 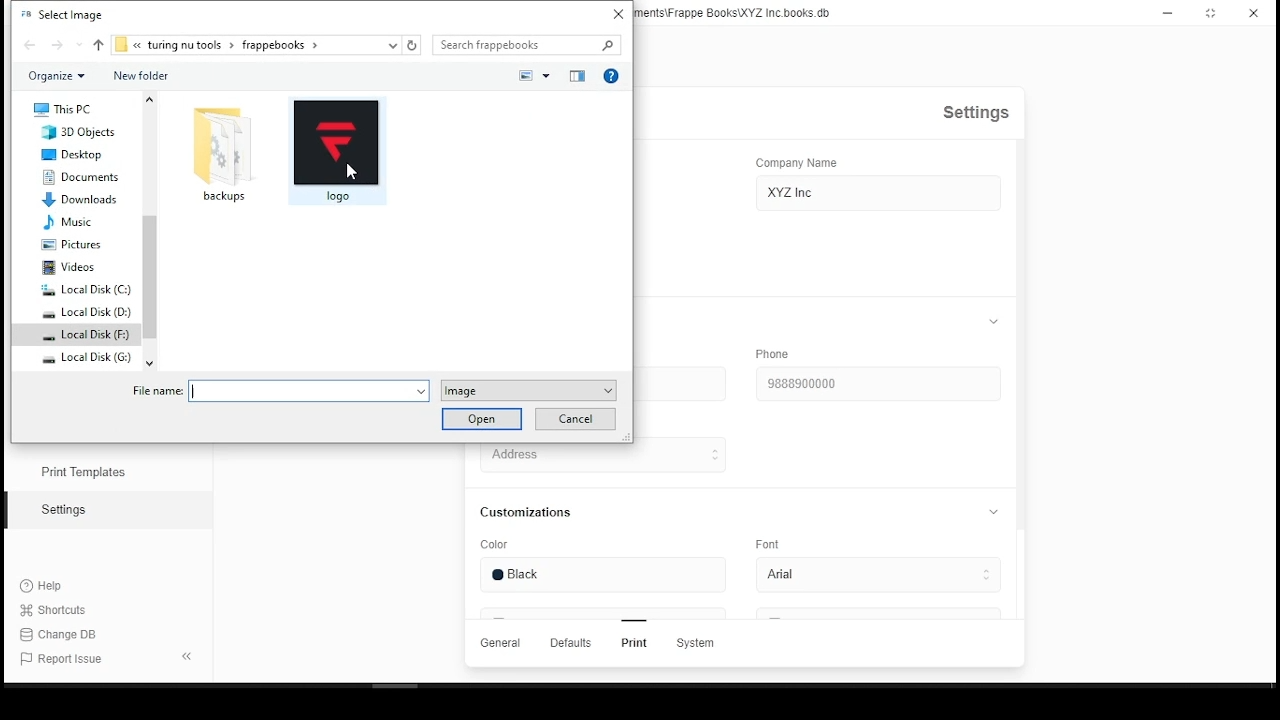 What do you see at coordinates (523, 512) in the screenshot?
I see `Customizations` at bounding box center [523, 512].